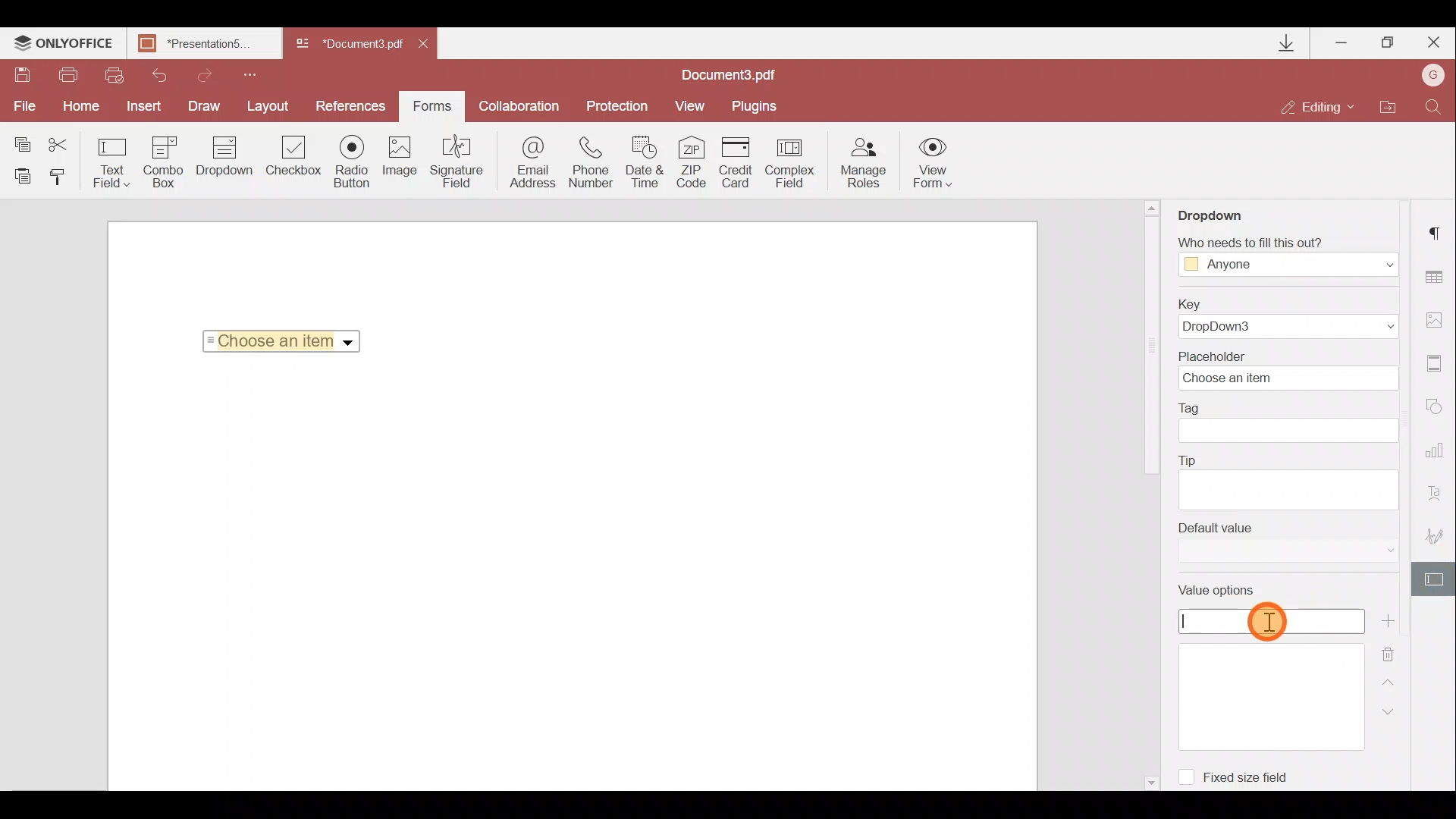 The height and width of the screenshot is (819, 1456). What do you see at coordinates (1216, 214) in the screenshot?
I see `Dropdown` at bounding box center [1216, 214].